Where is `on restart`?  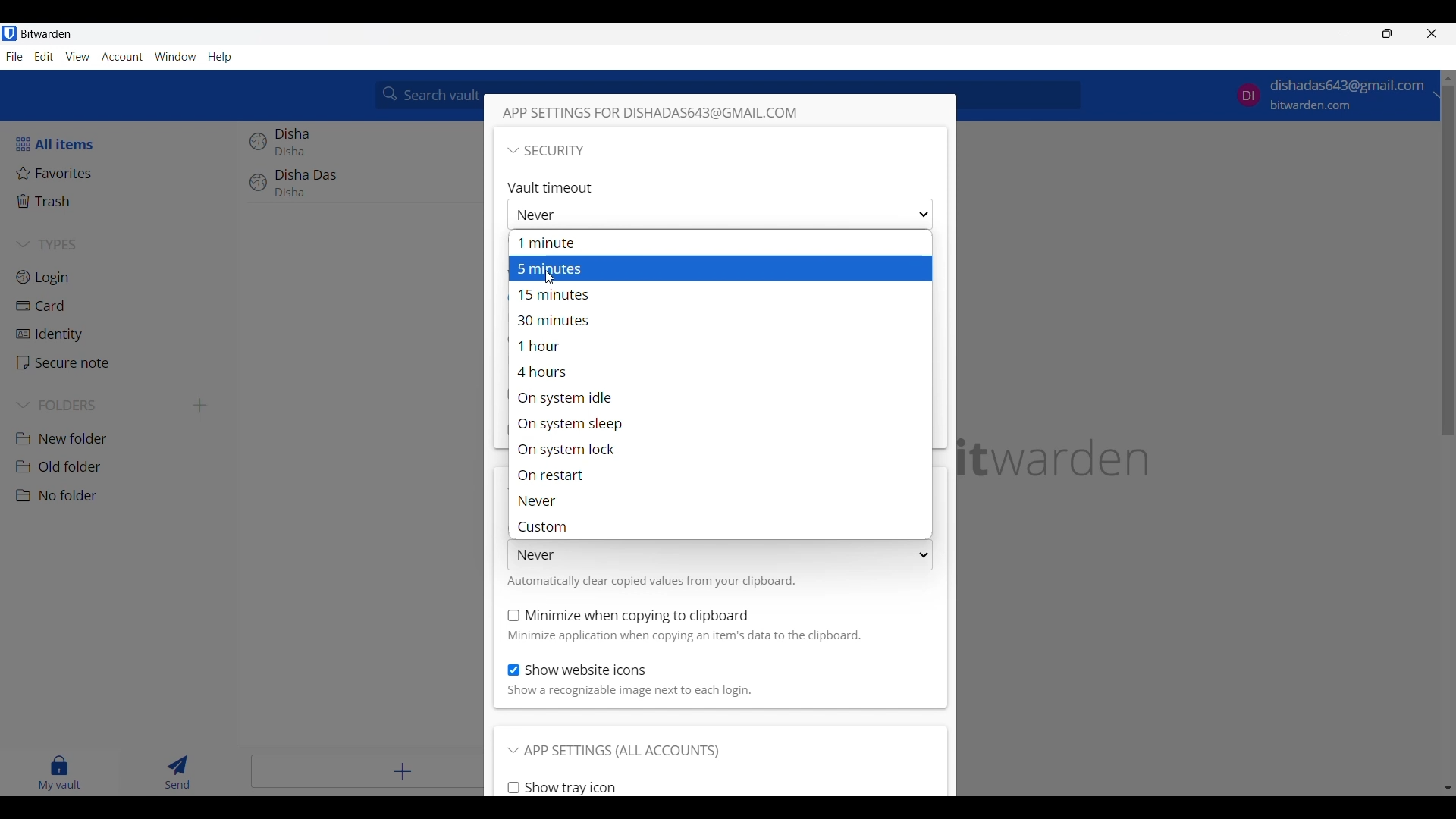
on restart is located at coordinates (720, 475).